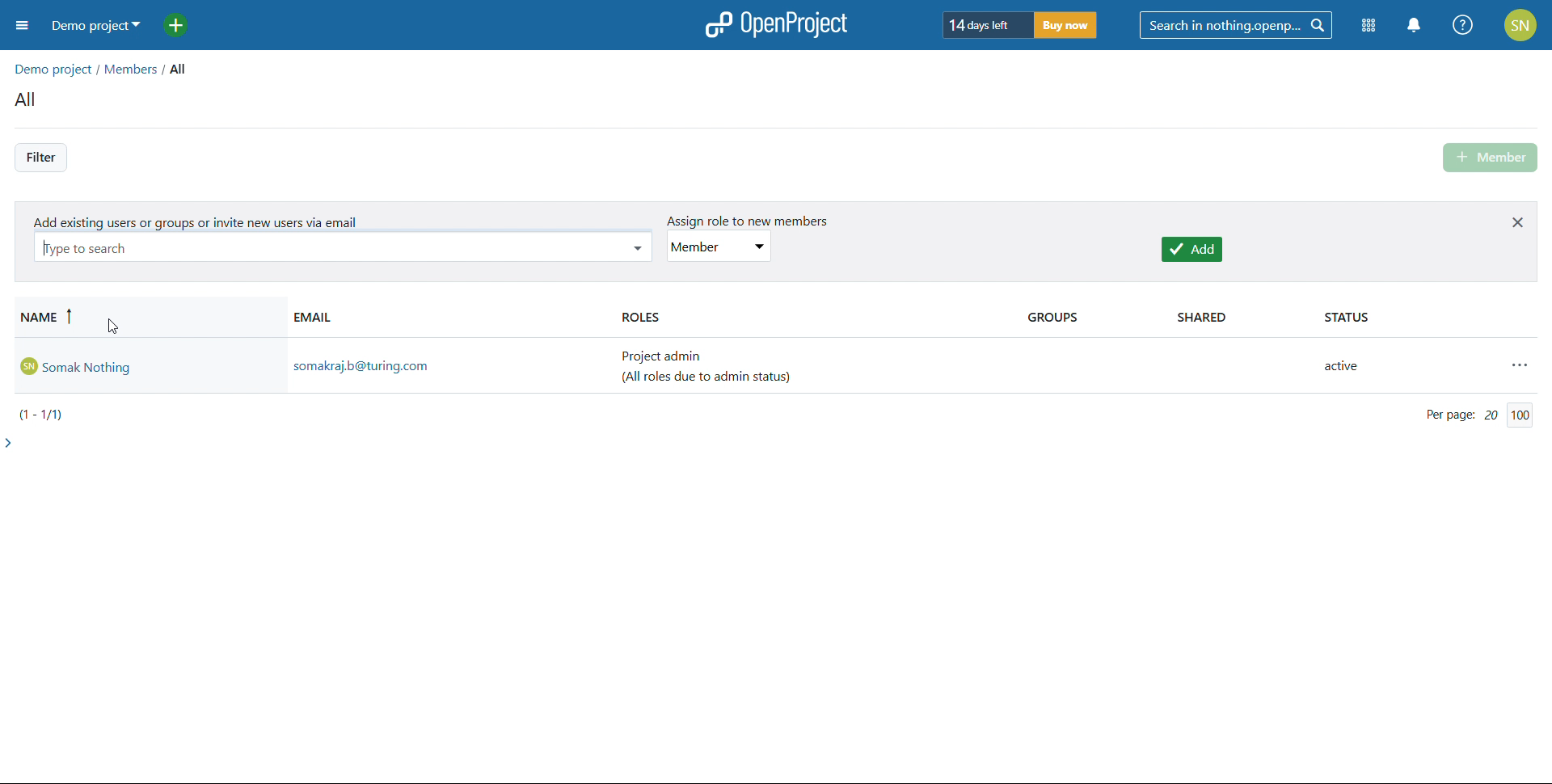  I want to click on open sidebar menu, so click(22, 27).